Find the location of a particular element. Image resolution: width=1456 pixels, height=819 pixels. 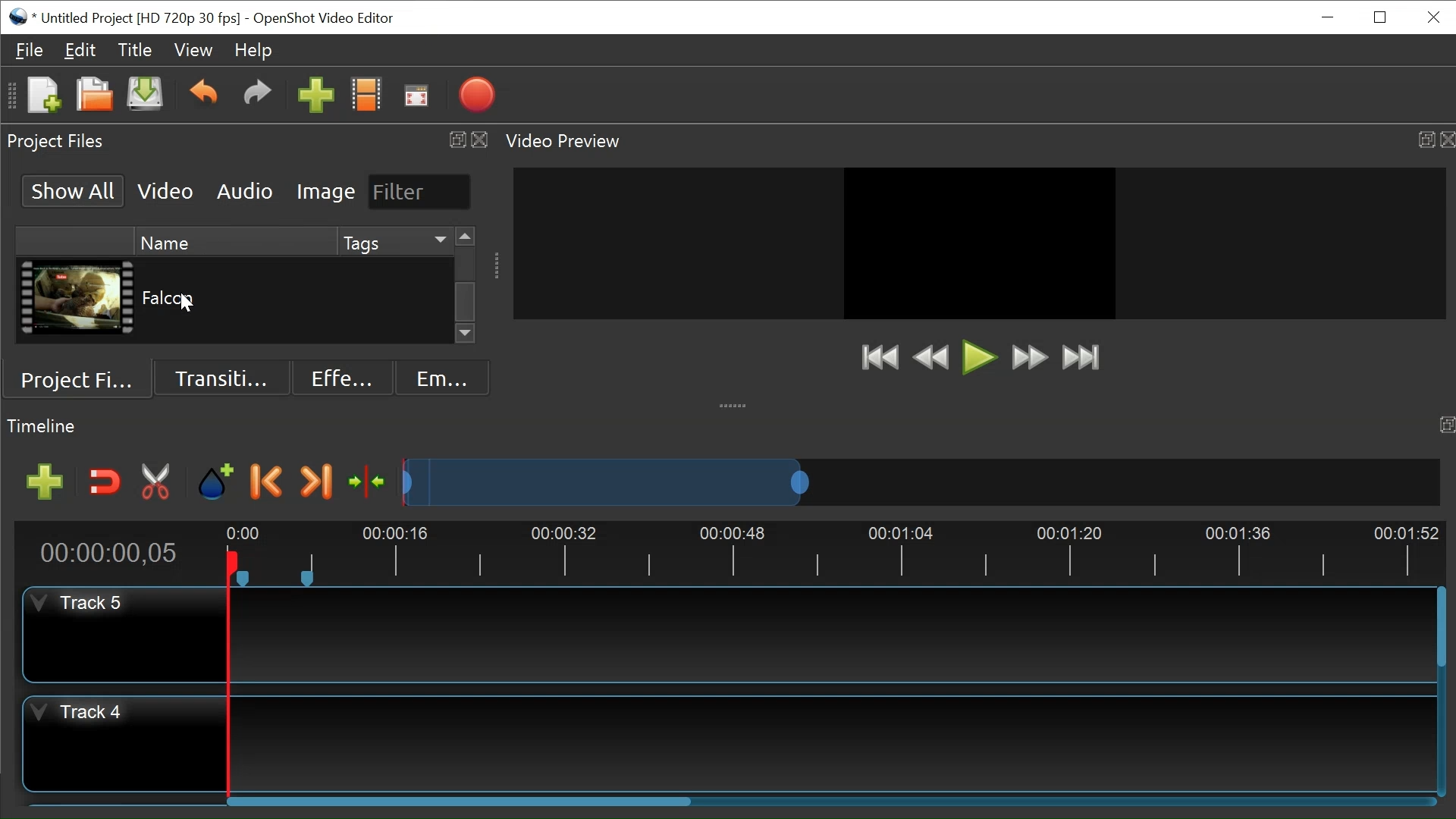

Name is located at coordinates (233, 240).